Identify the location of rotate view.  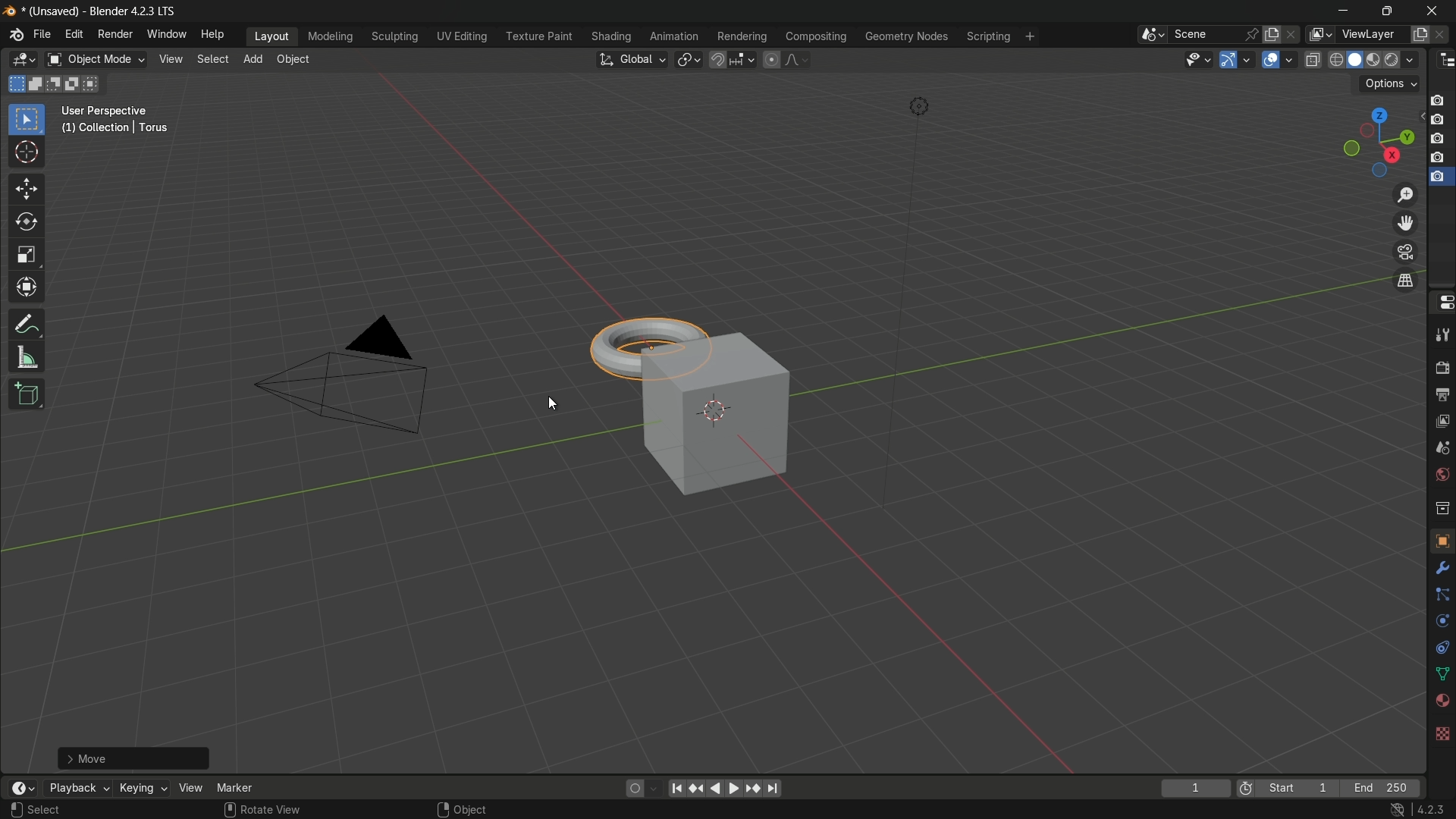
(273, 808).